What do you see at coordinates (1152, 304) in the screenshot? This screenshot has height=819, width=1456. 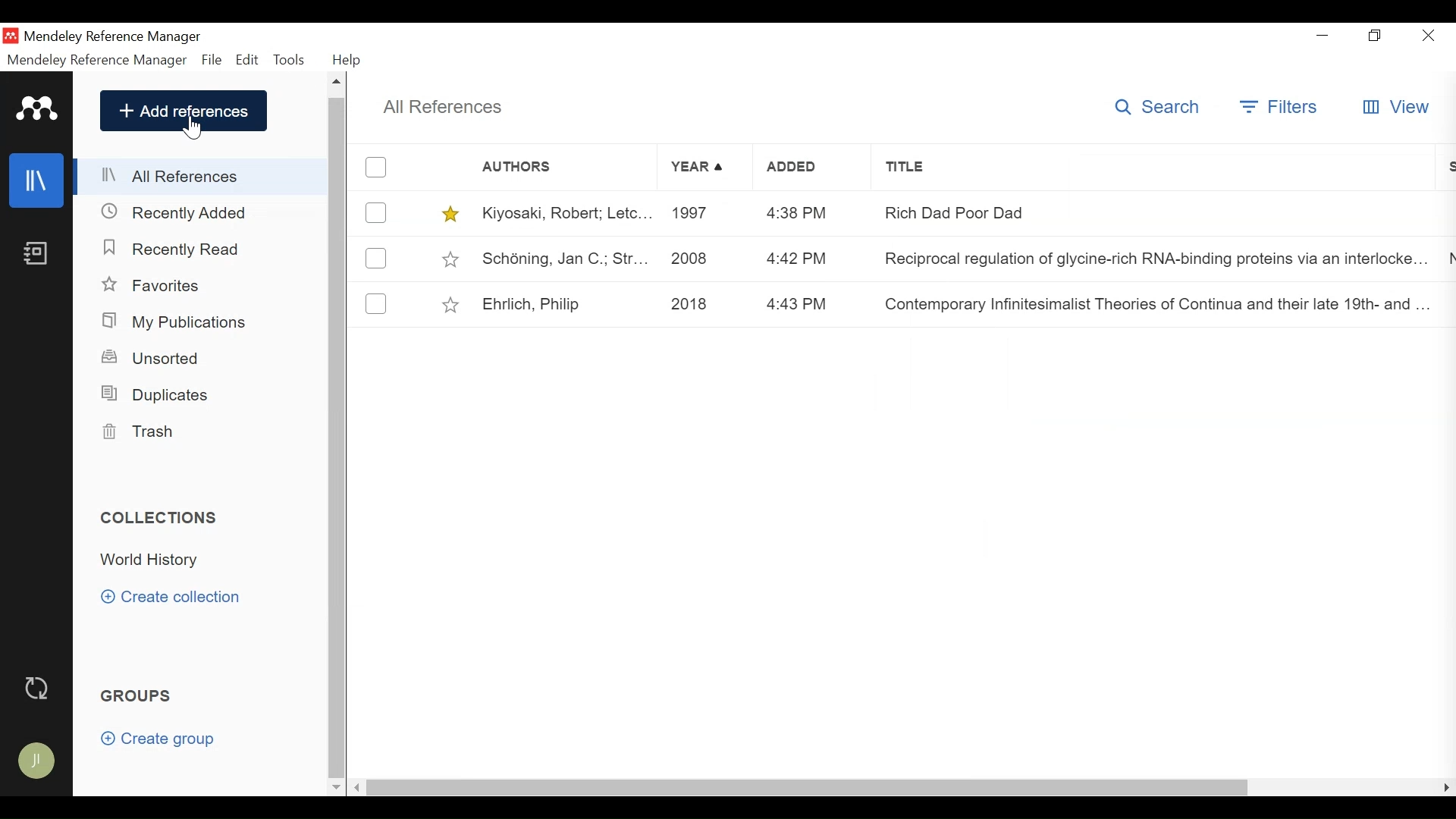 I see `Contemporary Infinitesimalist theories of continua and their late 19th and...` at bounding box center [1152, 304].